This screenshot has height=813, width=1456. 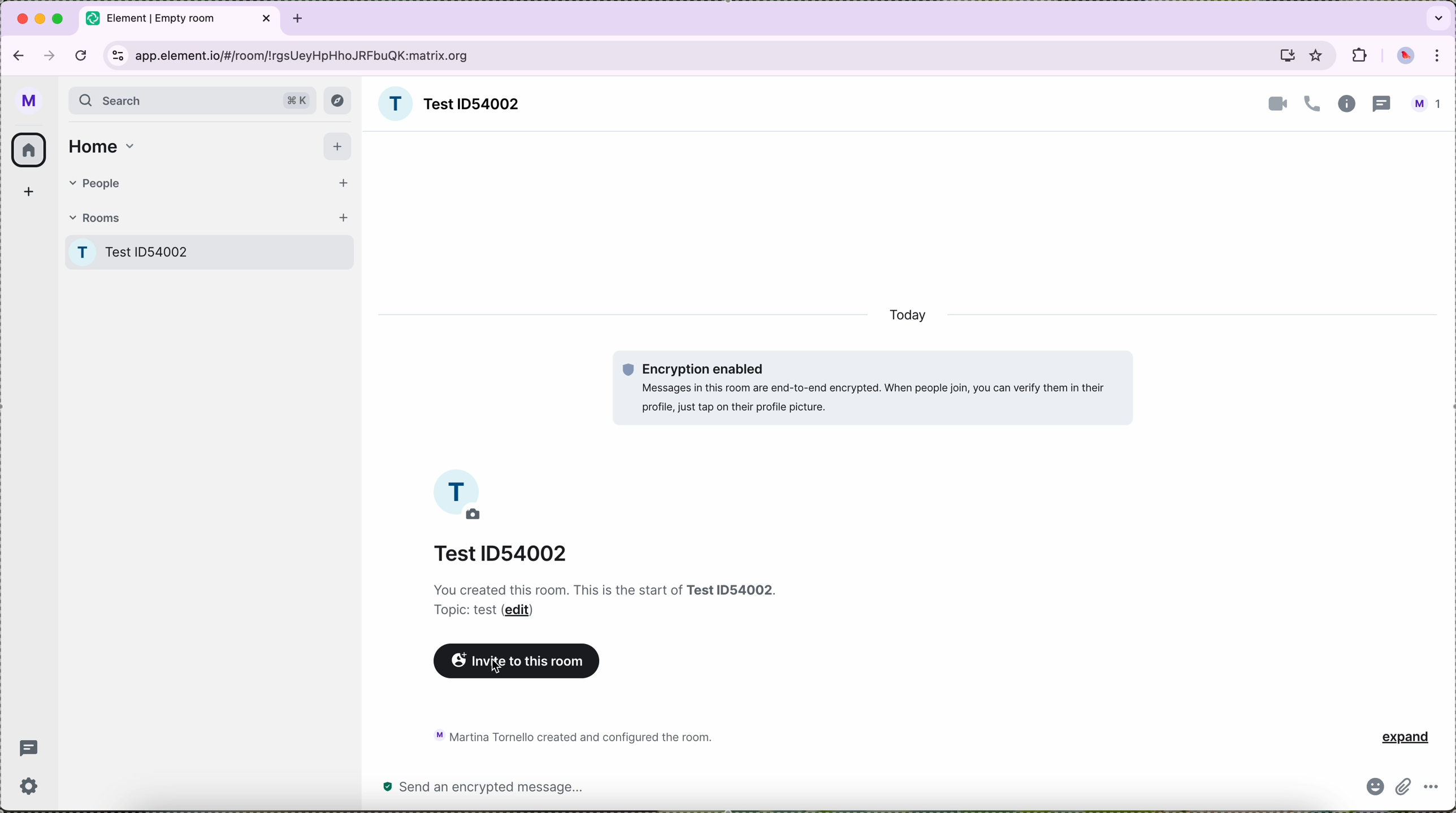 What do you see at coordinates (16, 56) in the screenshot?
I see `navigate back` at bounding box center [16, 56].